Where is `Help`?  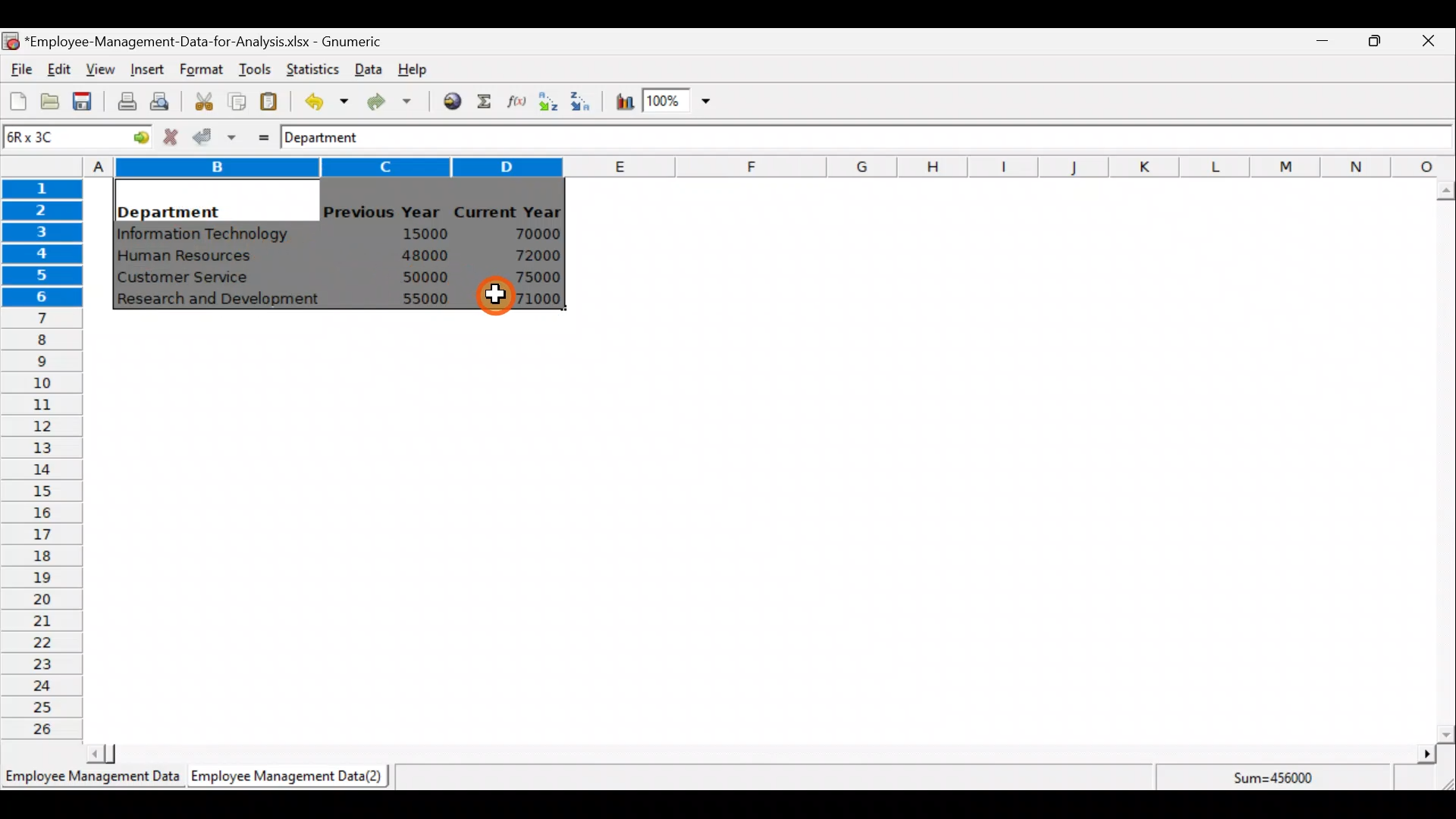
Help is located at coordinates (422, 68).